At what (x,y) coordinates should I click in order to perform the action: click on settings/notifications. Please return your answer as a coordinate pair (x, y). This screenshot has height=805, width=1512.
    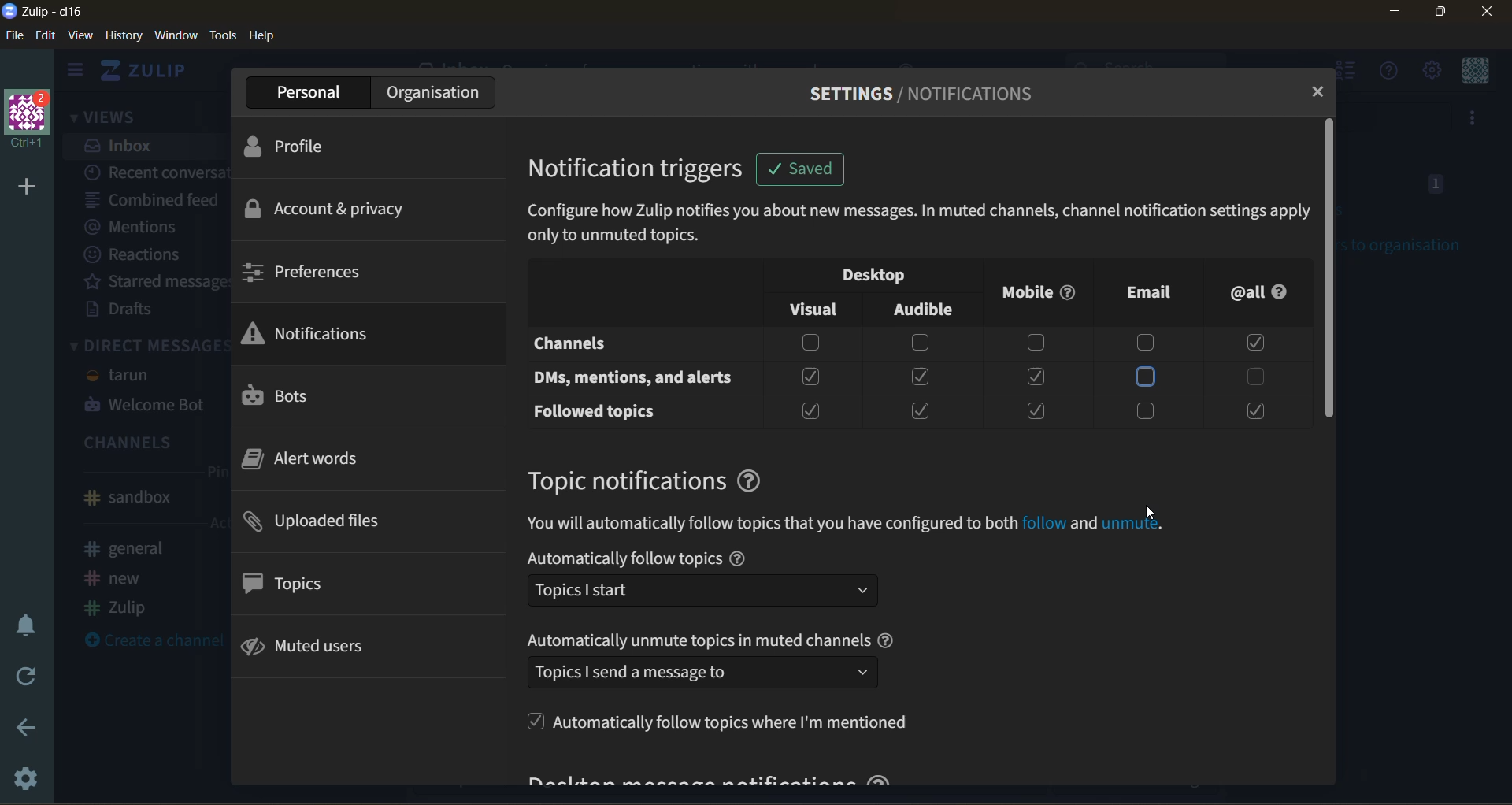
    Looking at the image, I should click on (925, 98).